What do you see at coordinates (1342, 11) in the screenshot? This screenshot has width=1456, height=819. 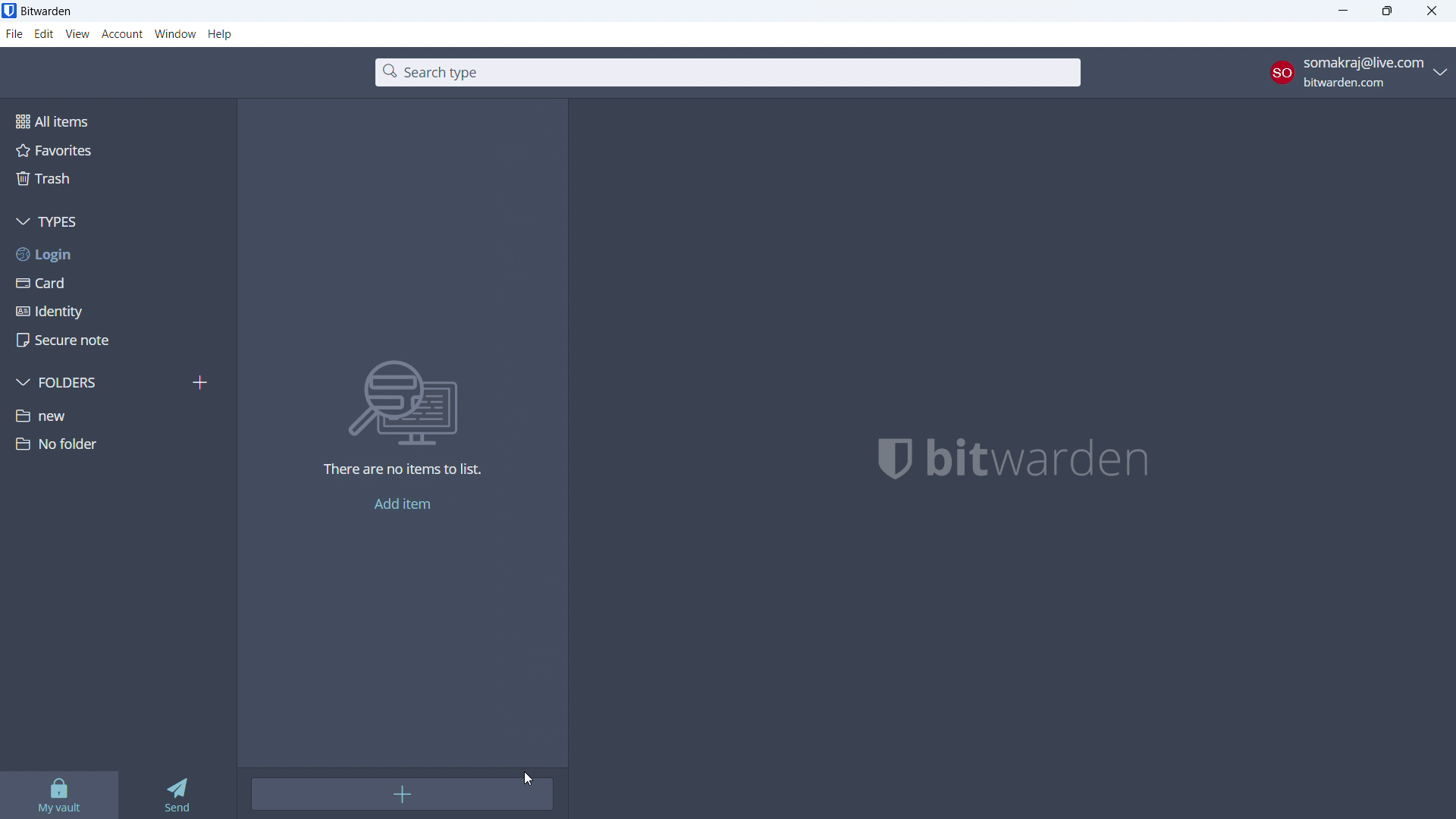 I see `minimize` at bounding box center [1342, 11].